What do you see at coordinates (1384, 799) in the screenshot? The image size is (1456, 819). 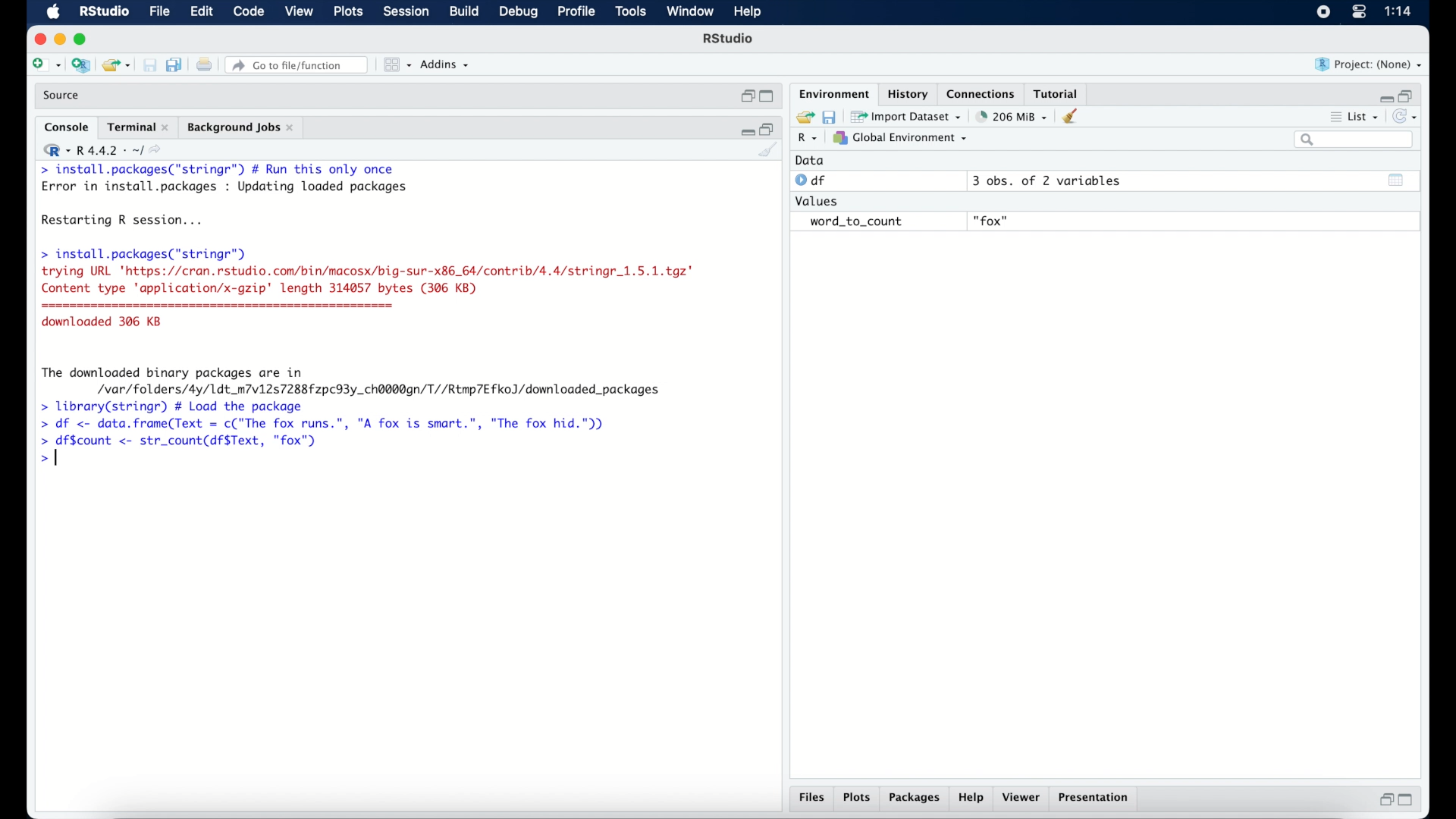 I see `restore down` at bounding box center [1384, 799].